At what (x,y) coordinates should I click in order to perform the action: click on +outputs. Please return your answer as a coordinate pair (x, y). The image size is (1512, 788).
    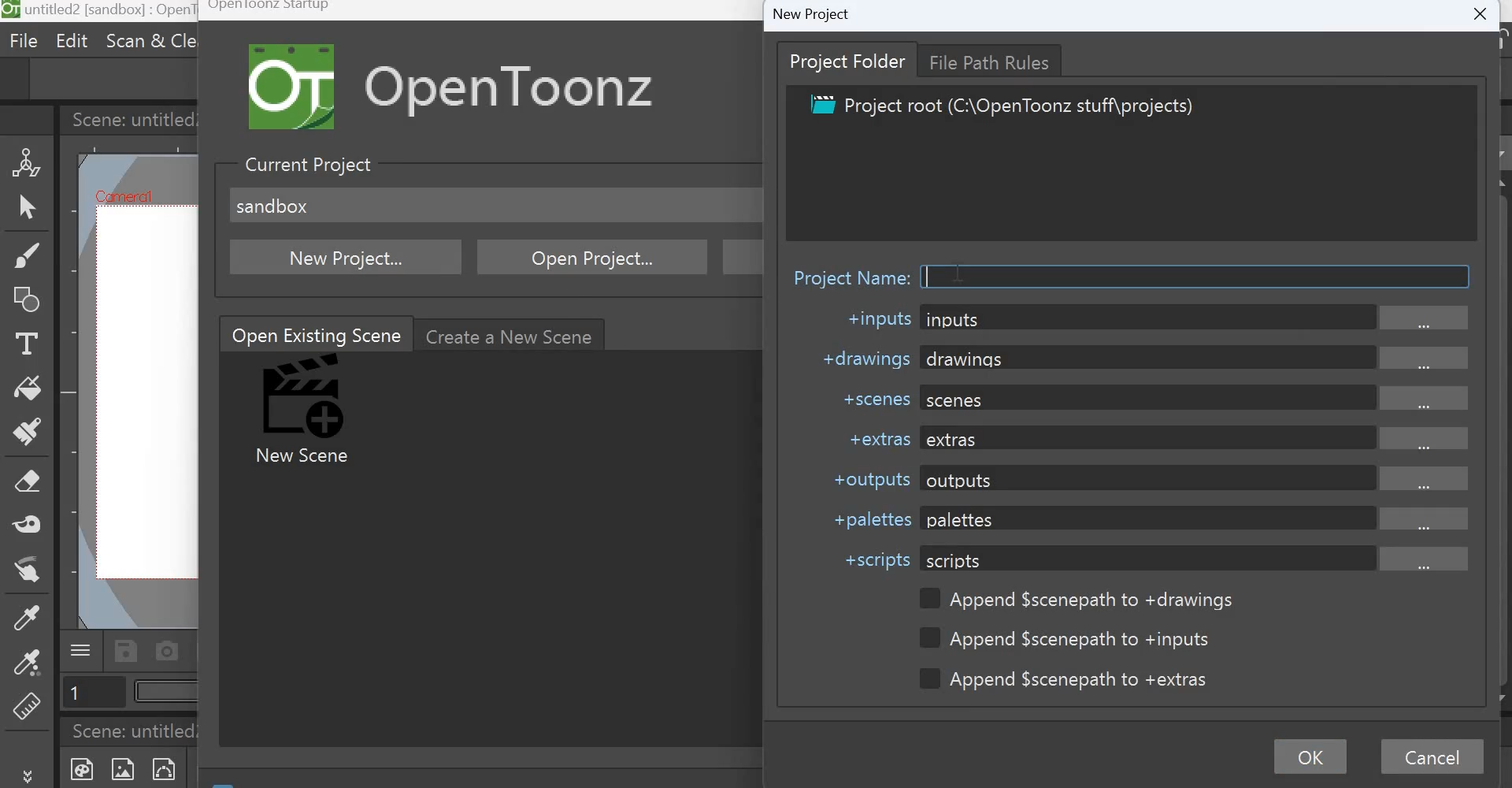
    Looking at the image, I should click on (865, 478).